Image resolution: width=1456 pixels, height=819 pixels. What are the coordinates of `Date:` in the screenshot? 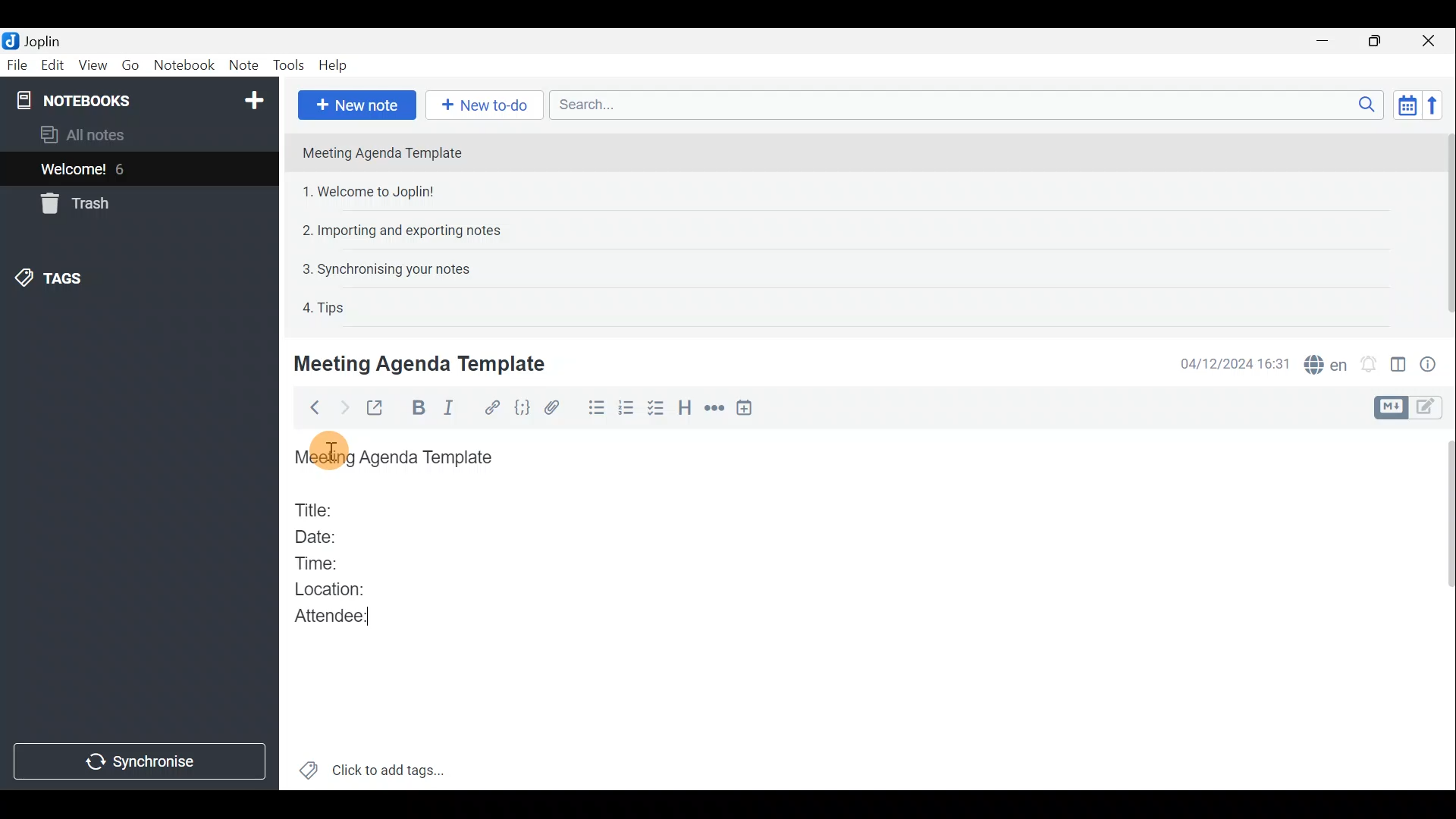 It's located at (328, 535).